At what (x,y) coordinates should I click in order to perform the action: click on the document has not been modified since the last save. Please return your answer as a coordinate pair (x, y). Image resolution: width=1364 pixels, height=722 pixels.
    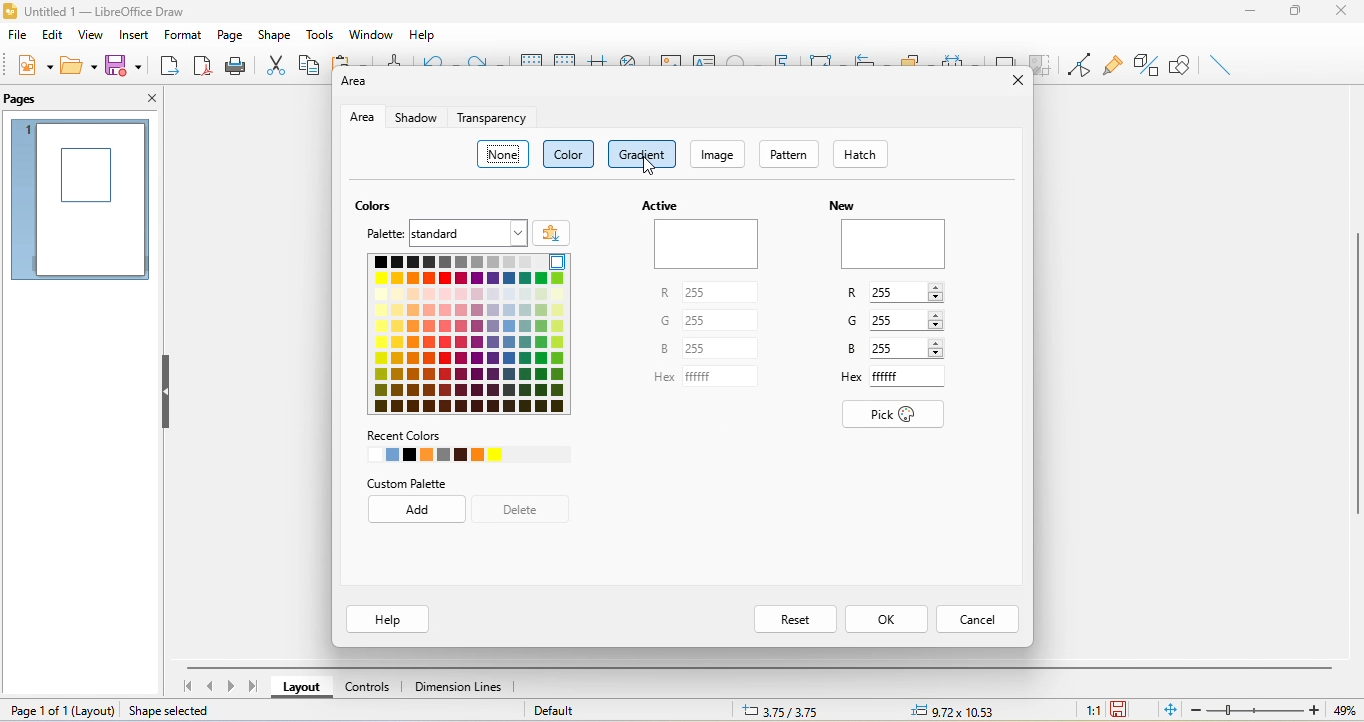
    Looking at the image, I should click on (1126, 710).